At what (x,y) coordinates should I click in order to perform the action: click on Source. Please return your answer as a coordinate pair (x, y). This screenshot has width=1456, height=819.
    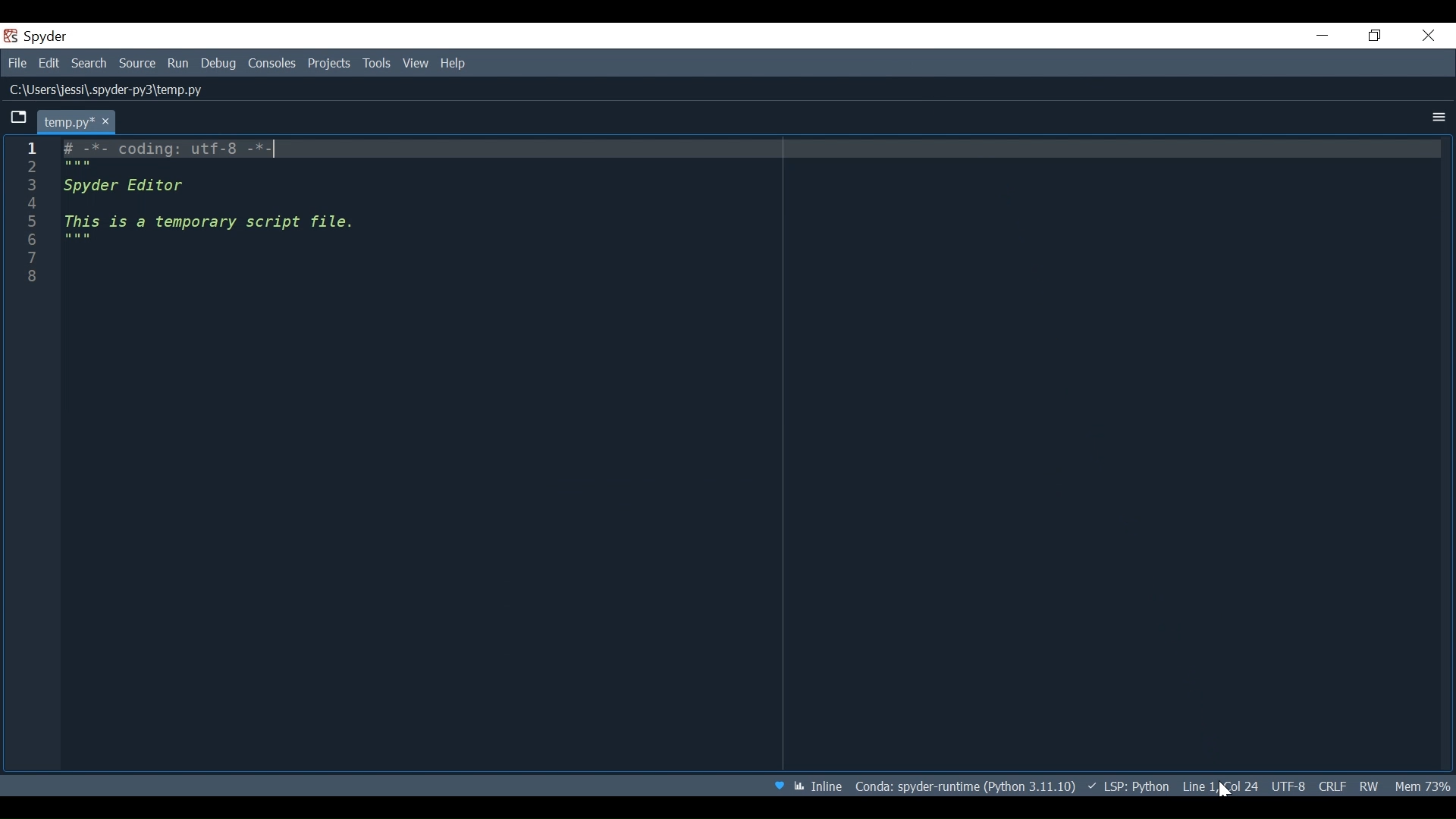
    Looking at the image, I should click on (136, 63).